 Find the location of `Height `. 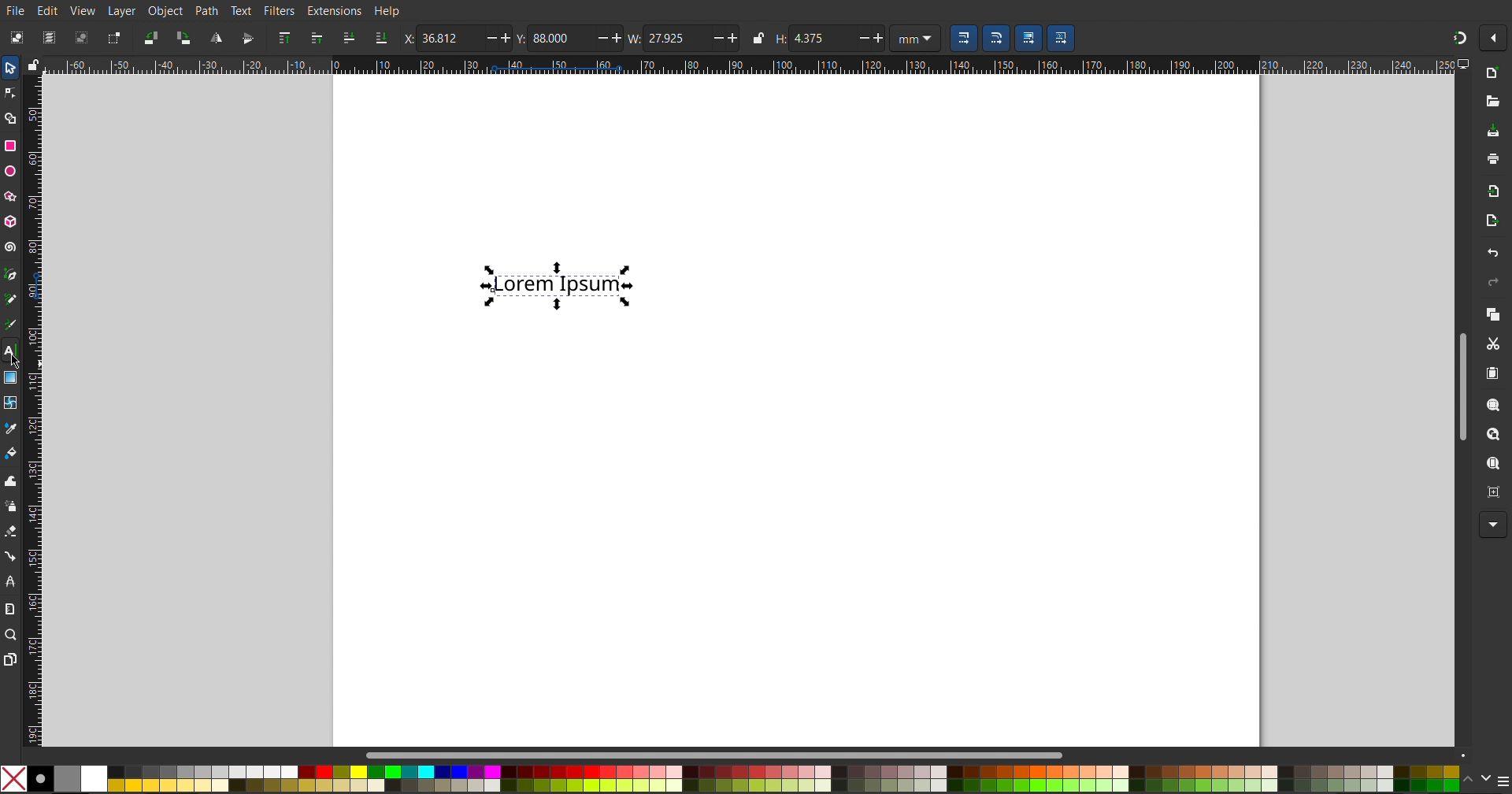

Height  is located at coordinates (829, 39).